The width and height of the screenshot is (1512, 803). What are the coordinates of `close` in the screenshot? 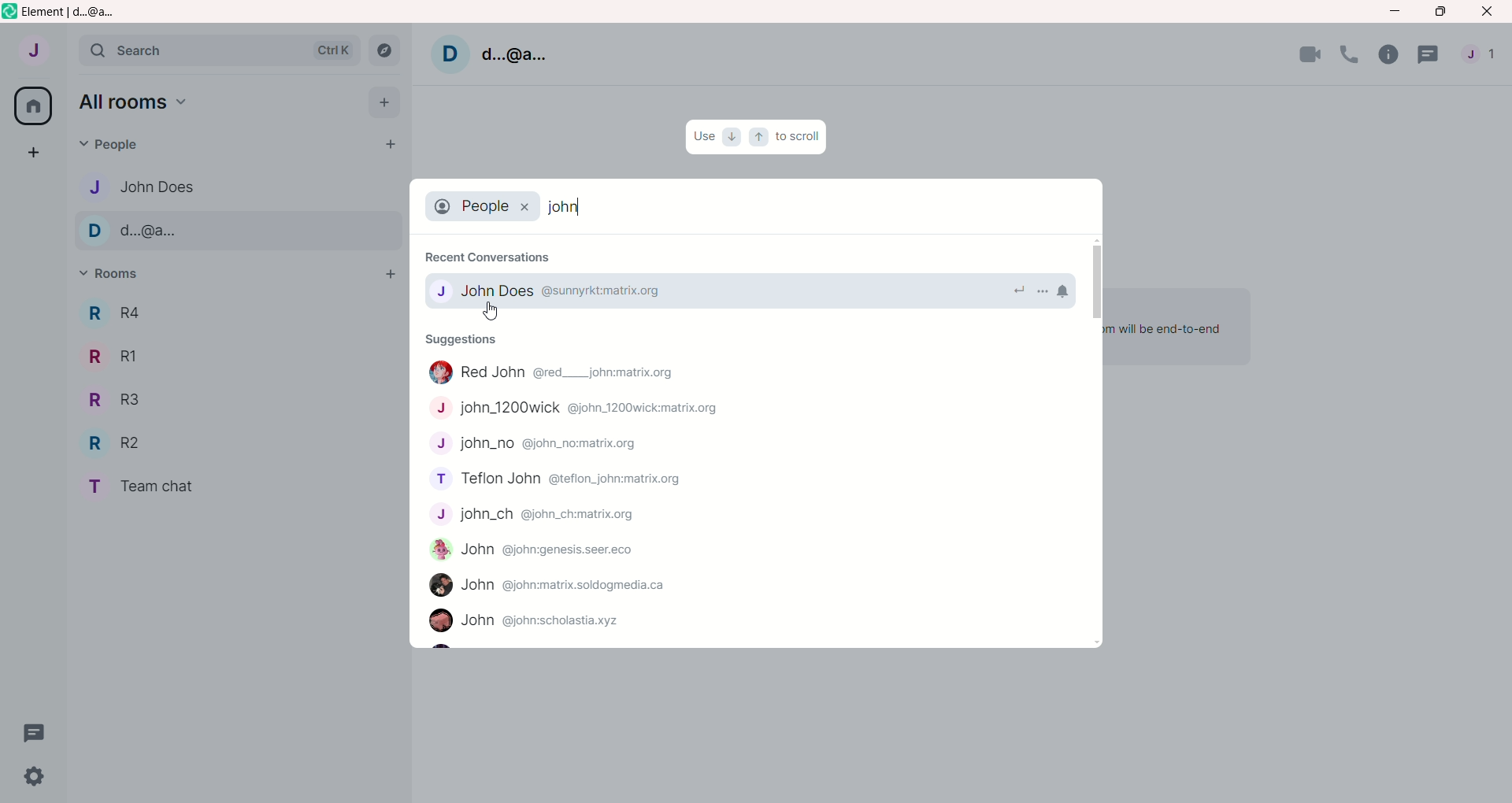 It's located at (1489, 12).